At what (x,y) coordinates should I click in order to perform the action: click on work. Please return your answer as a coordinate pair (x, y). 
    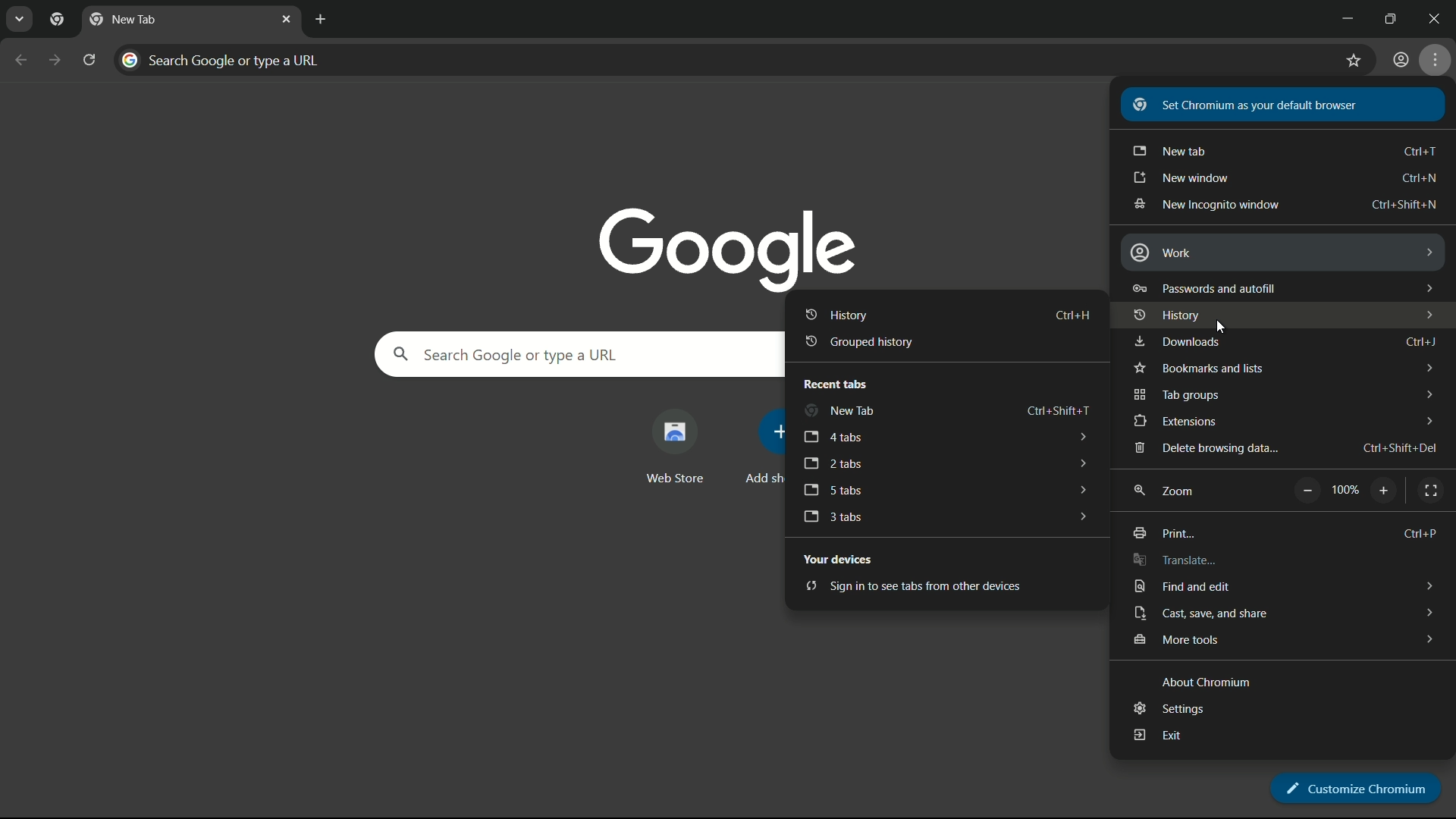
    Looking at the image, I should click on (1161, 253).